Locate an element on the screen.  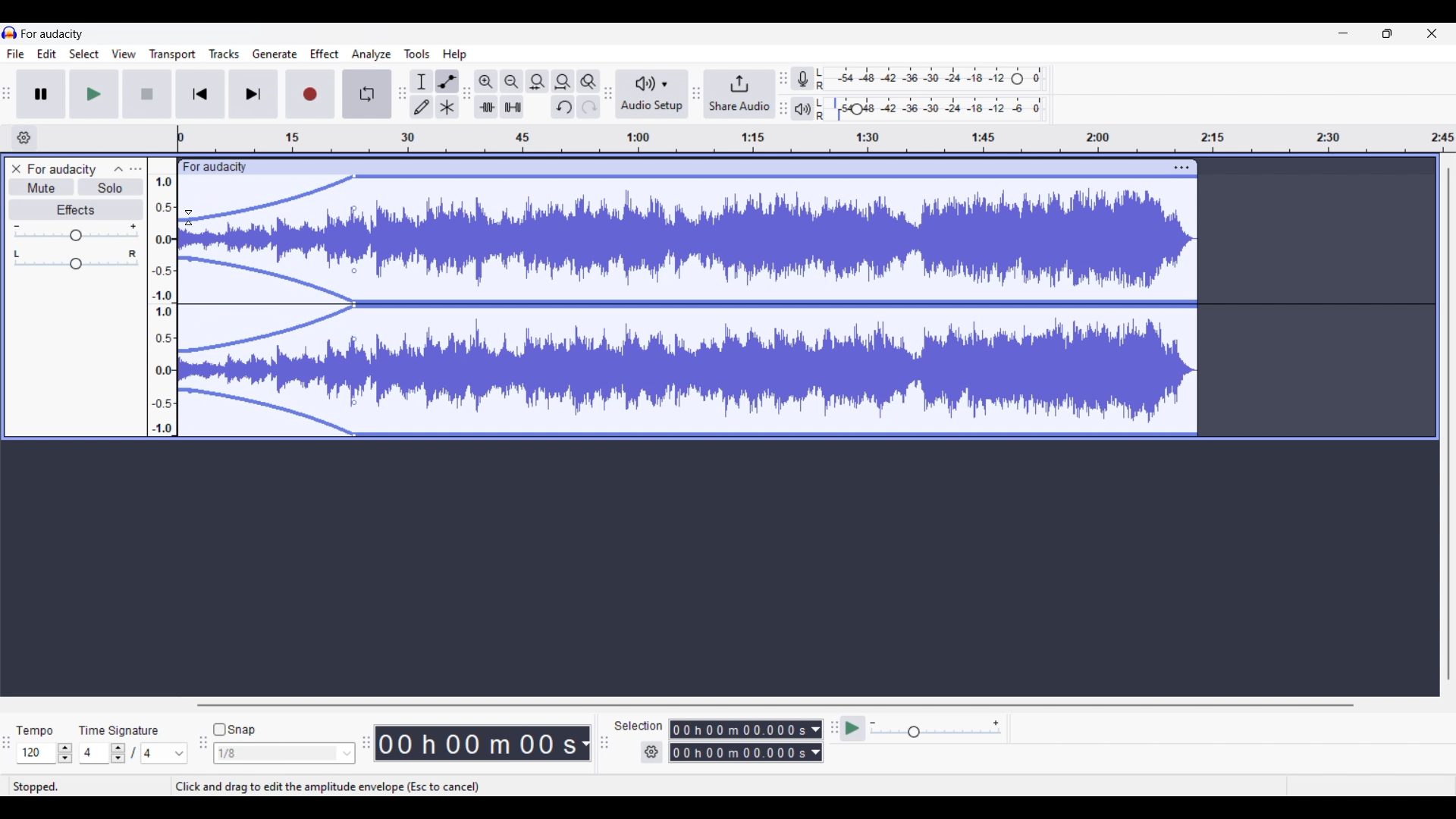
View is located at coordinates (124, 54).